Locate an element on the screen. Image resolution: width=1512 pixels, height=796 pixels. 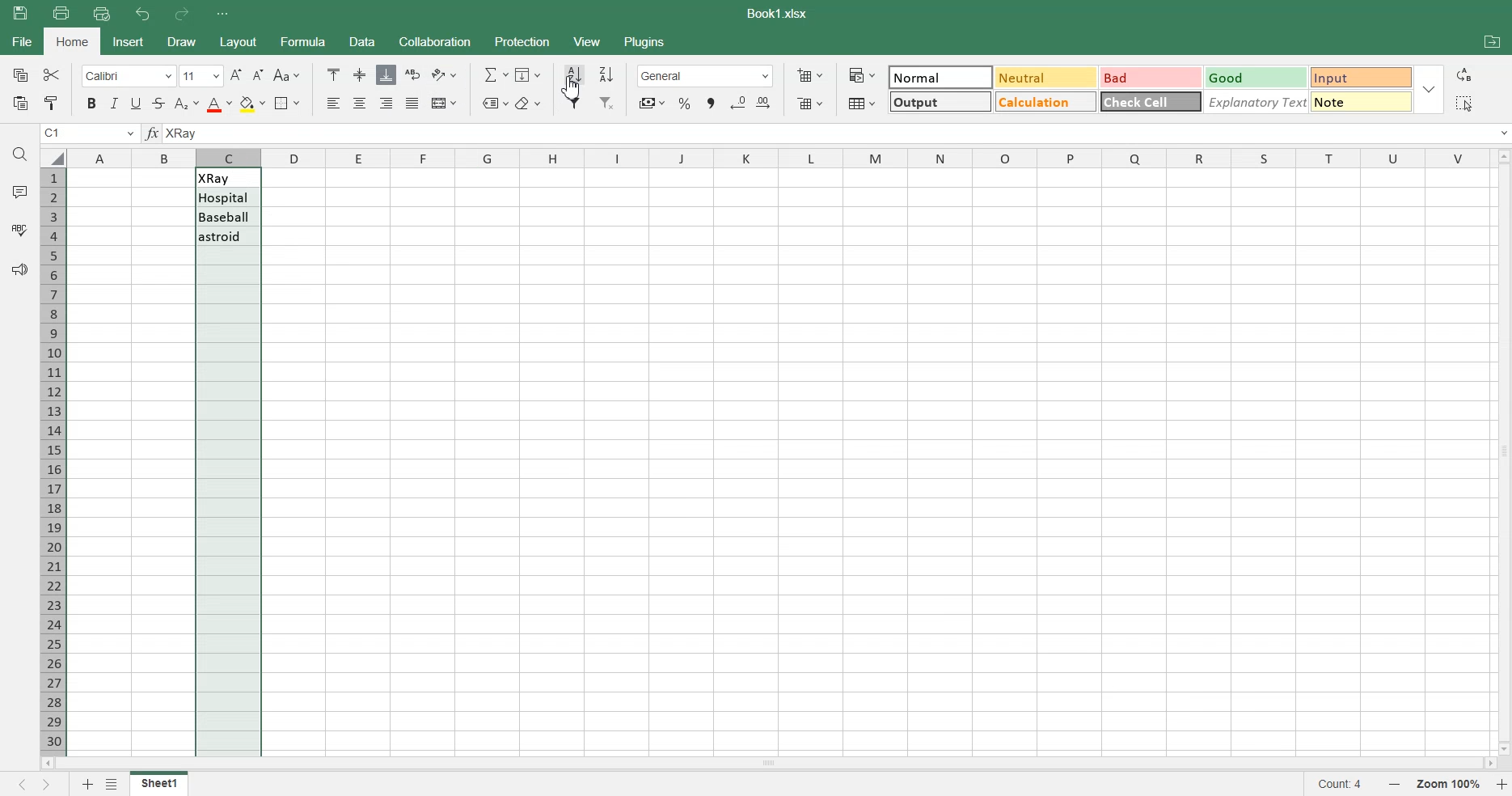
Paste is located at coordinates (23, 13).